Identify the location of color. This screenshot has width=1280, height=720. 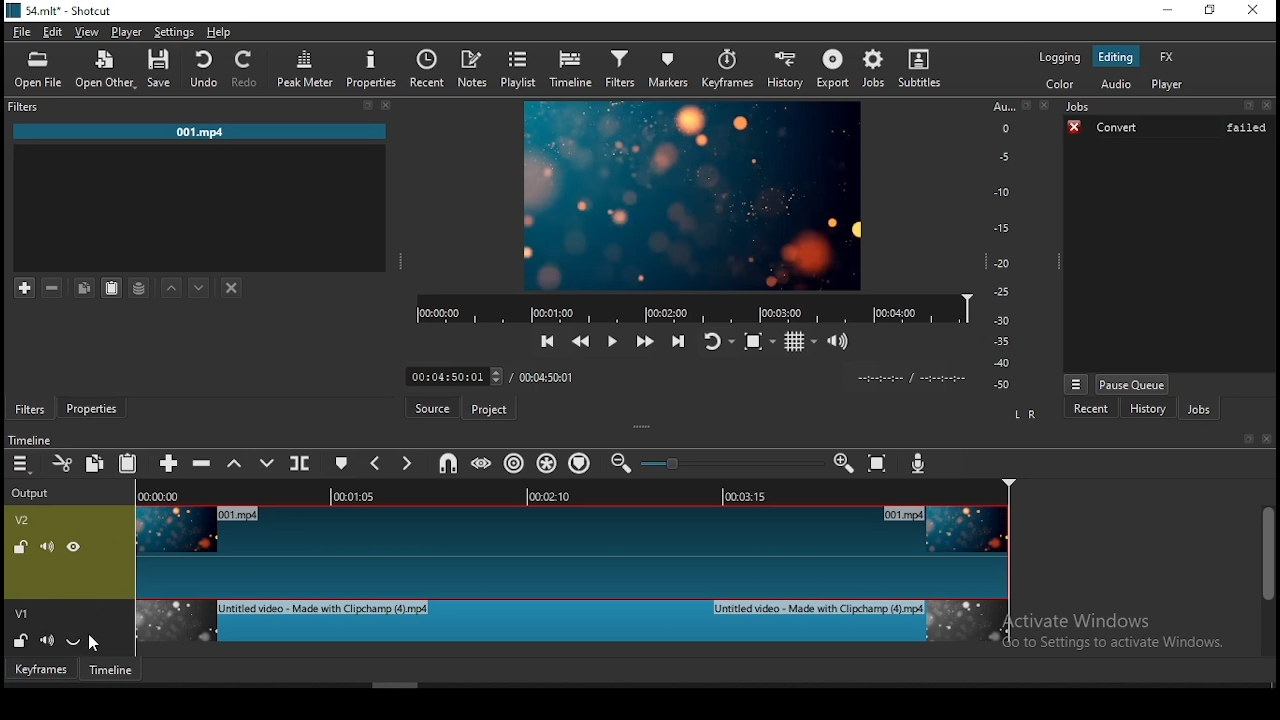
(1061, 83).